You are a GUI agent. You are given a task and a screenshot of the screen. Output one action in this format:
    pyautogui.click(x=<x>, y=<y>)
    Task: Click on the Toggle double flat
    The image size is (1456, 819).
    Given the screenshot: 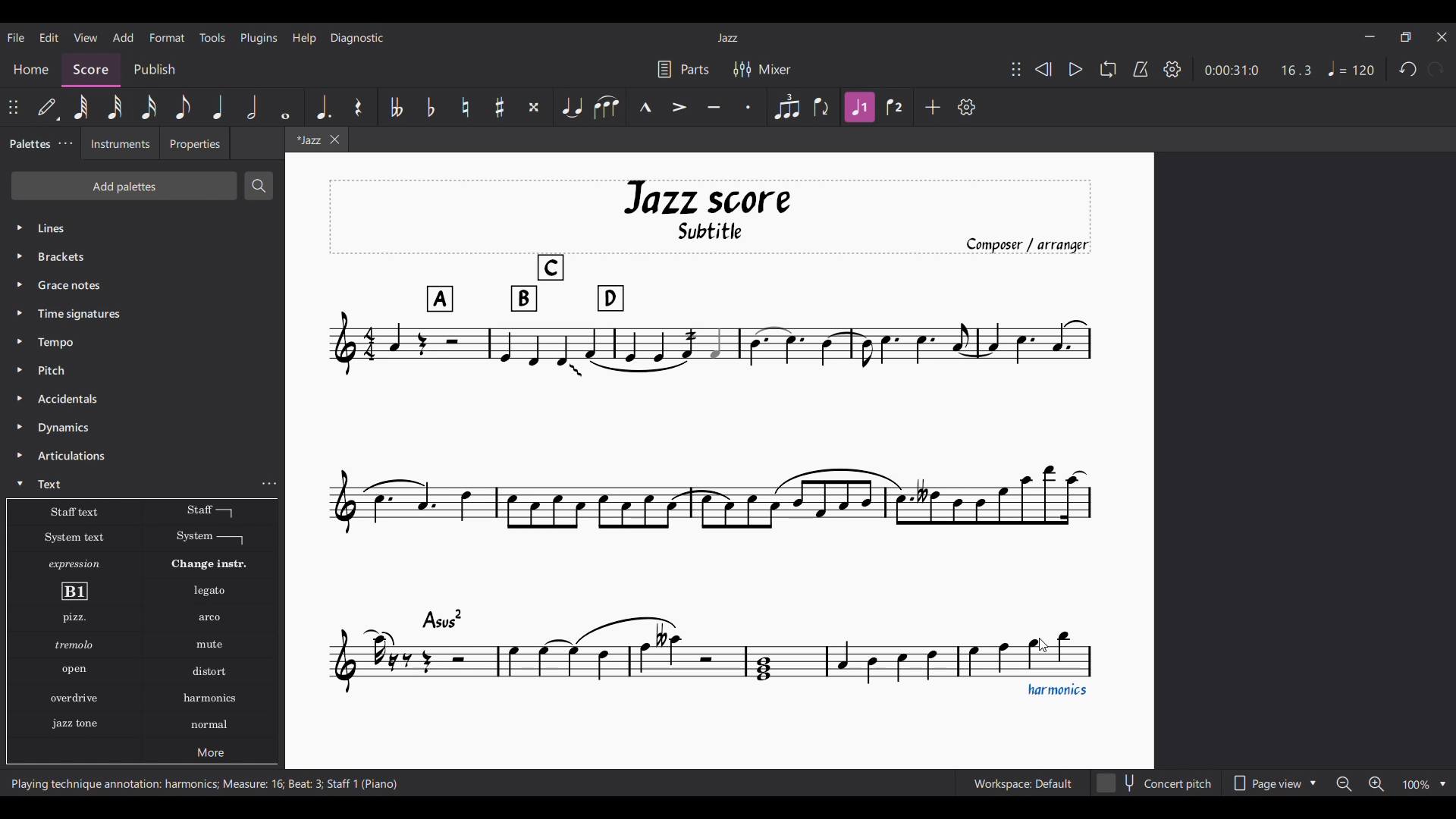 What is the action you would take?
    pyautogui.click(x=395, y=107)
    